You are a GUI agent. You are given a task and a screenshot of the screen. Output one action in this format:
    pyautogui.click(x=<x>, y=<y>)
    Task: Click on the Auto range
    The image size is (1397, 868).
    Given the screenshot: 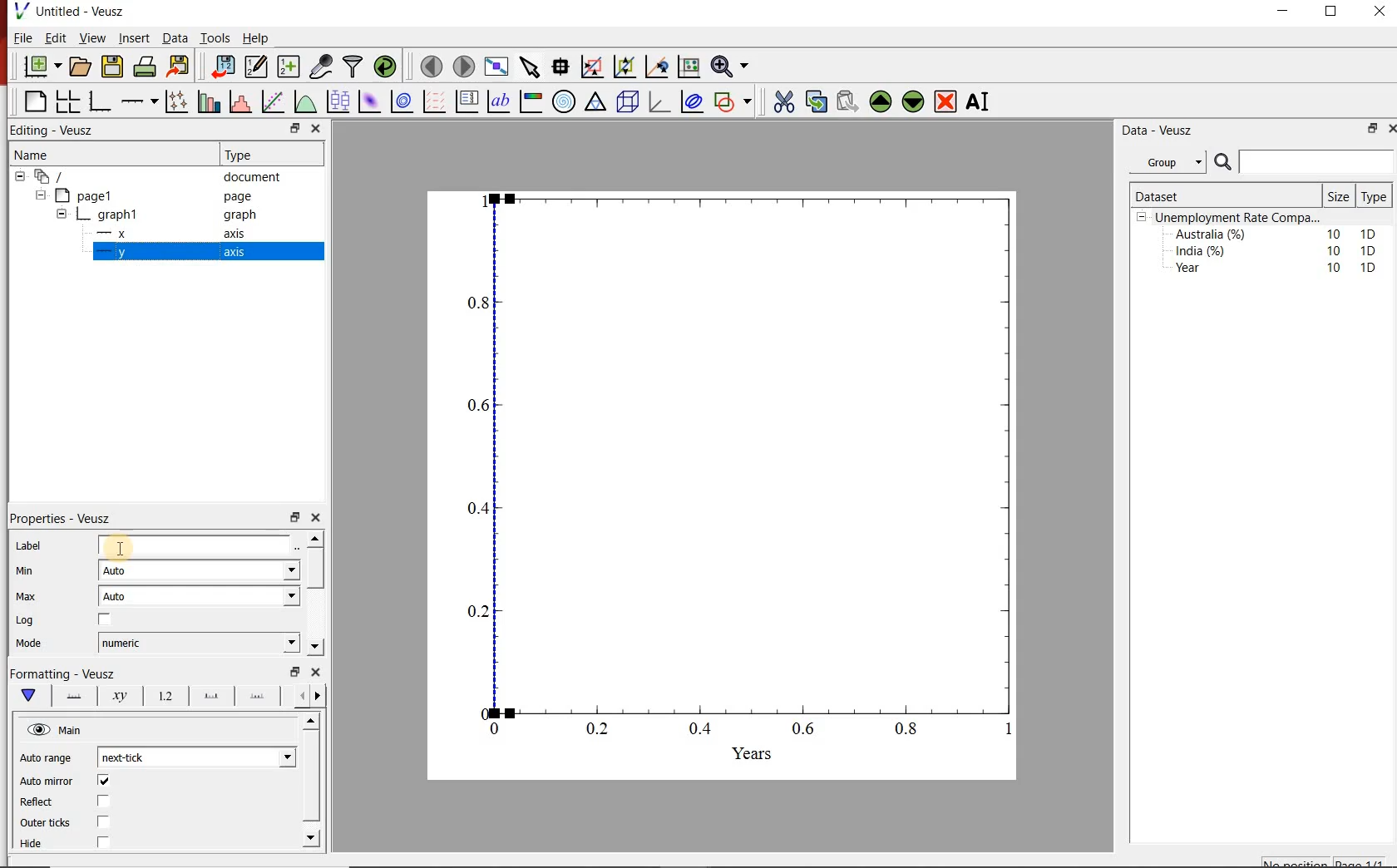 What is the action you would take?
    pyautogui.click(x=48, y=760)
    